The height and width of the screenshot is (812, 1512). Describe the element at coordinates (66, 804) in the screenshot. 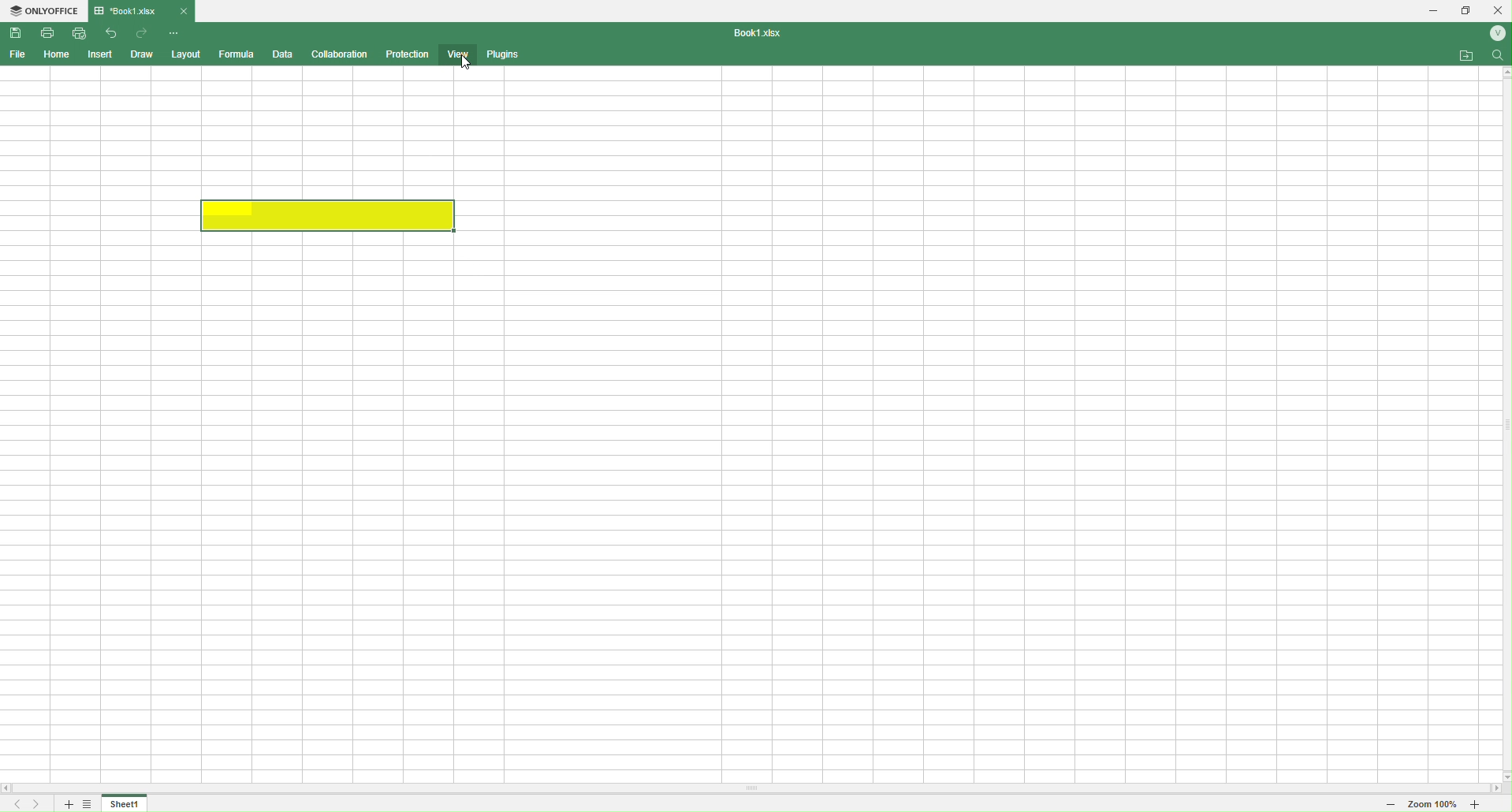

I see `Add sheet` at that location.